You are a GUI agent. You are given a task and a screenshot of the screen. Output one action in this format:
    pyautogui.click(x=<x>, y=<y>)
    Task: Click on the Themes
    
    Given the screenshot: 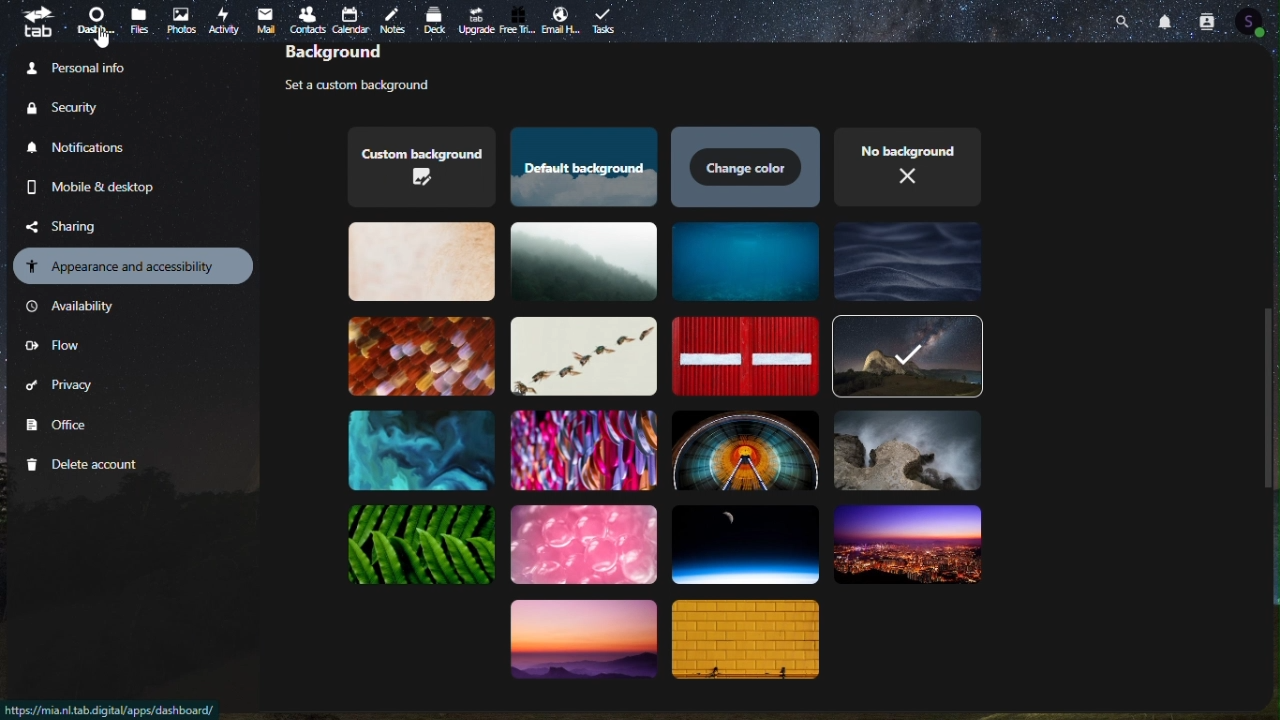 What is the action you would take?
    pyautogui.click(x=906, y=453)
    